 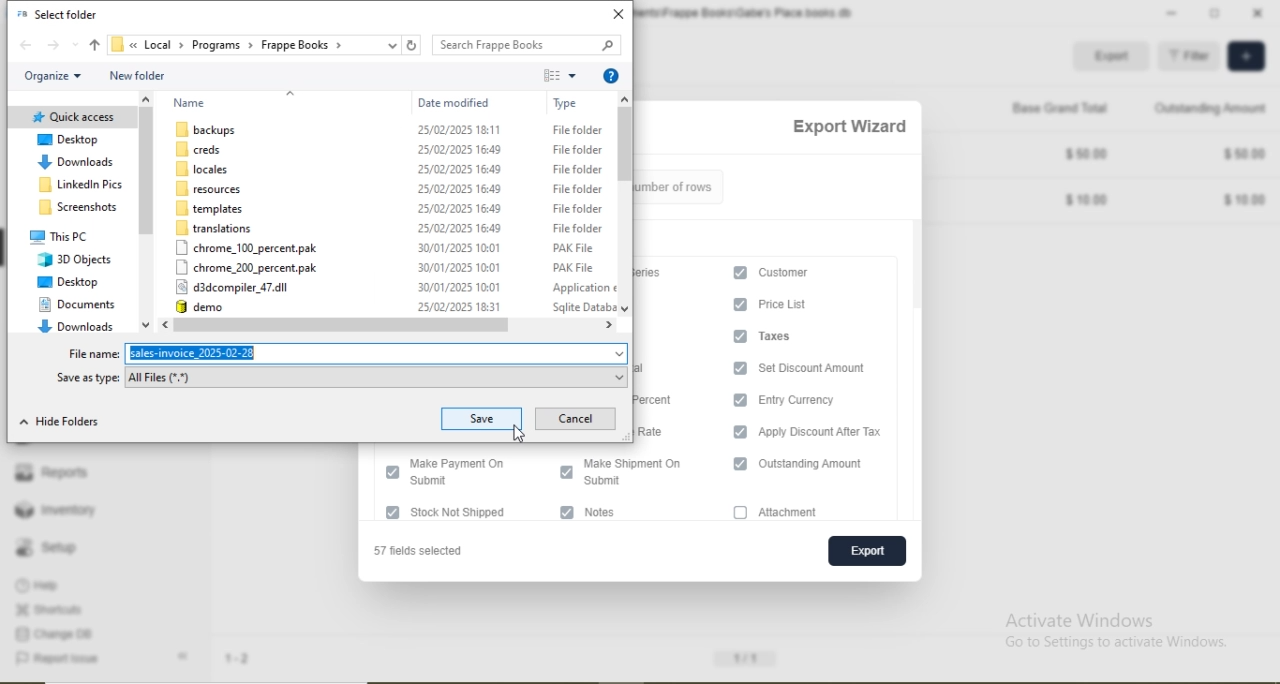 I want to click on Documents, so click(x=83, y=303).